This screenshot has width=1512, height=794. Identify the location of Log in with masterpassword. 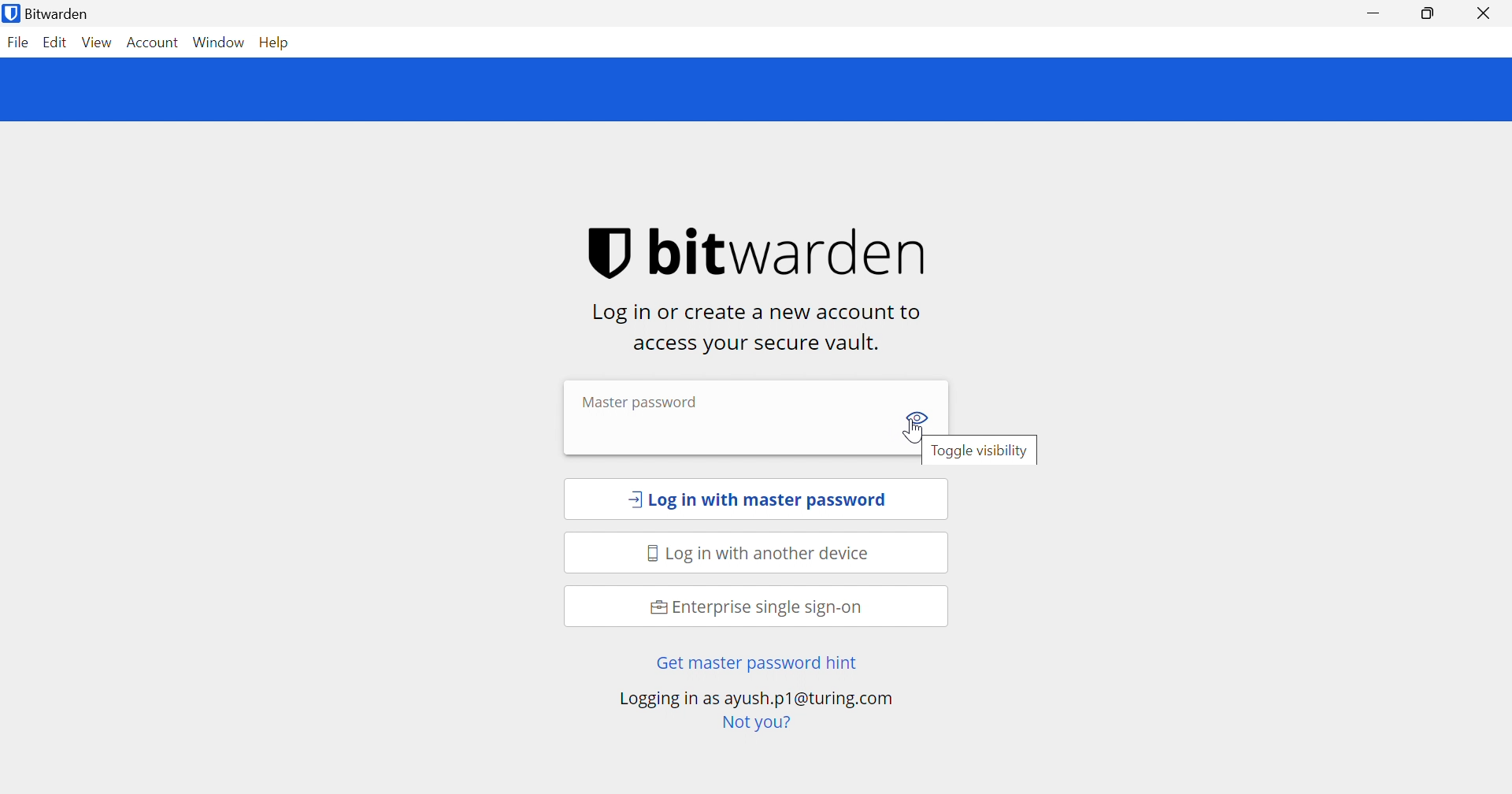
(758, 501).